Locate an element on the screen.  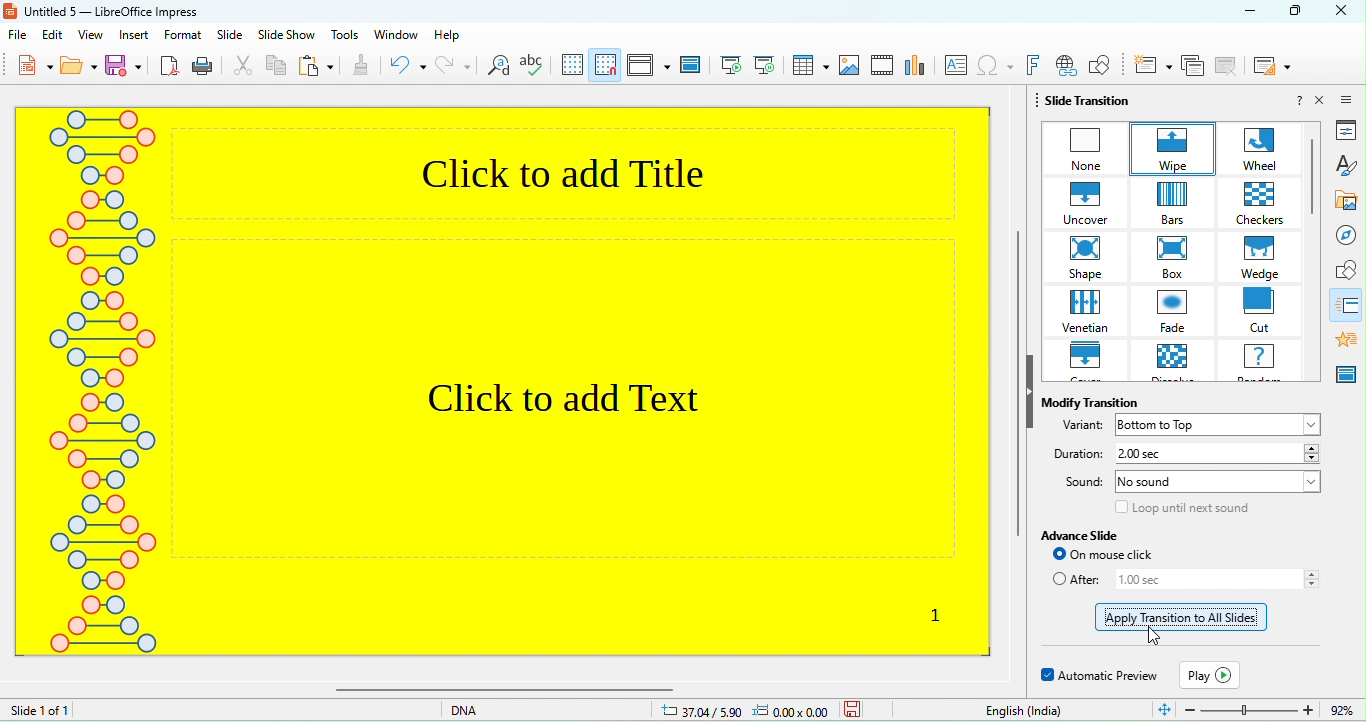
image is located at coordinates (850, 68).